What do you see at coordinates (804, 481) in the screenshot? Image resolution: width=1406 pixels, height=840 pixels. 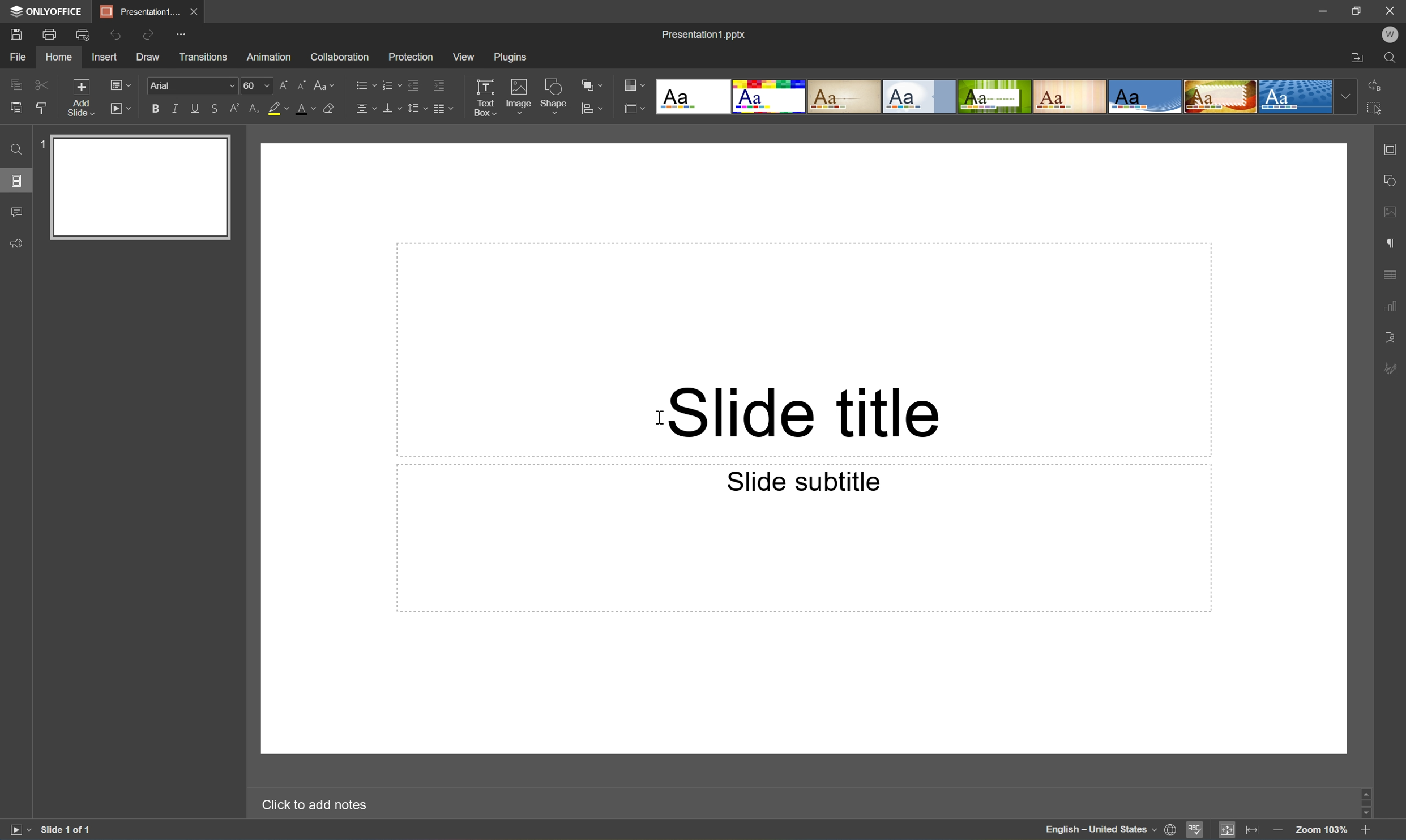 I see `Slide subtitle` at bounding box center [804, 481].